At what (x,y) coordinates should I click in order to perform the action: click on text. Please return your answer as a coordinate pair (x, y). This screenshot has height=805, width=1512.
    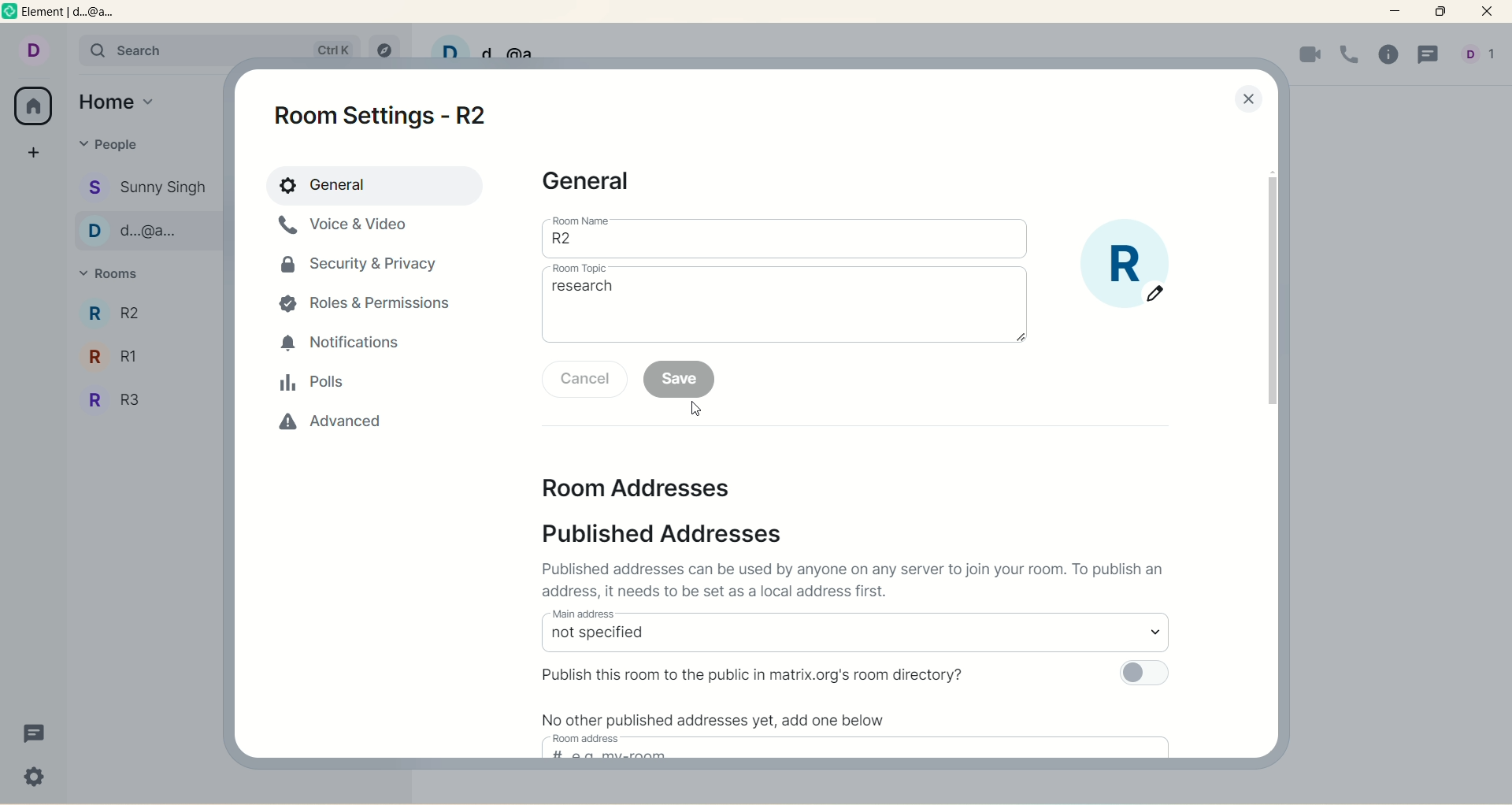
    Looking at the image, I should click on (719, 722).